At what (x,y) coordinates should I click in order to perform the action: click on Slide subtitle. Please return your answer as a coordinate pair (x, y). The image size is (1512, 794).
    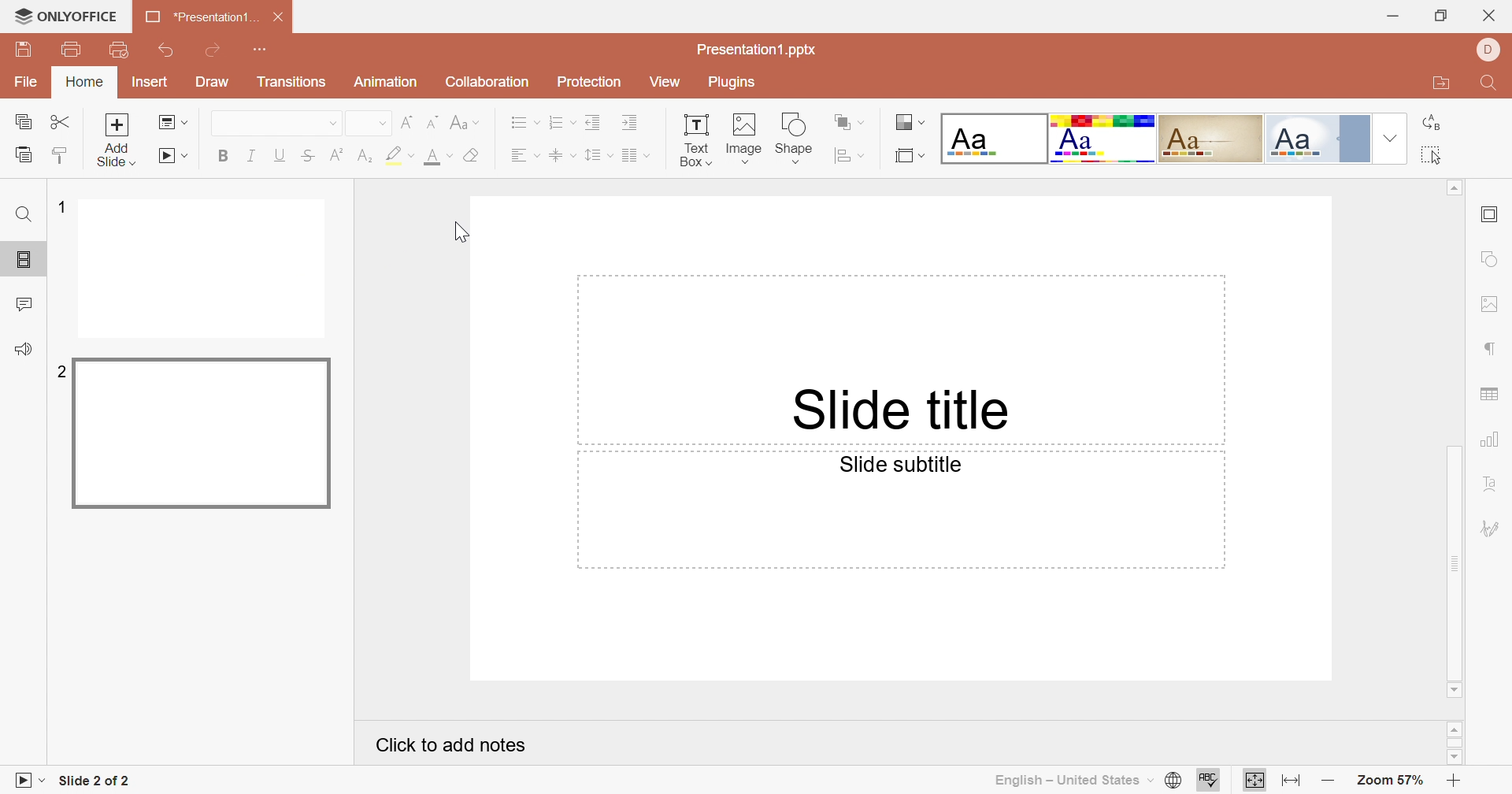
    Looking at the image, I should click on (897, 465).